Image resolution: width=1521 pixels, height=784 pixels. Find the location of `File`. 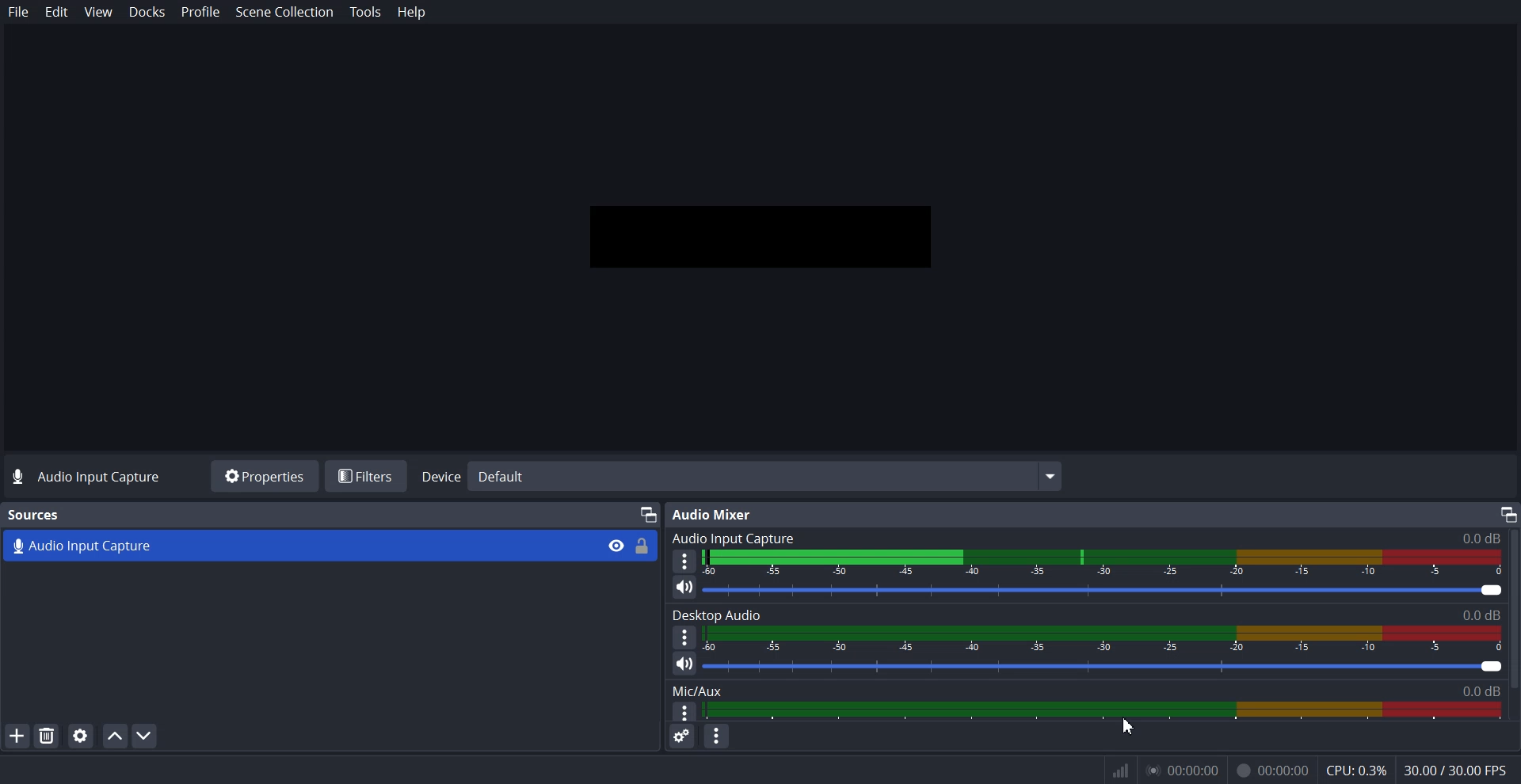

File is located at coordinates (19, 12).